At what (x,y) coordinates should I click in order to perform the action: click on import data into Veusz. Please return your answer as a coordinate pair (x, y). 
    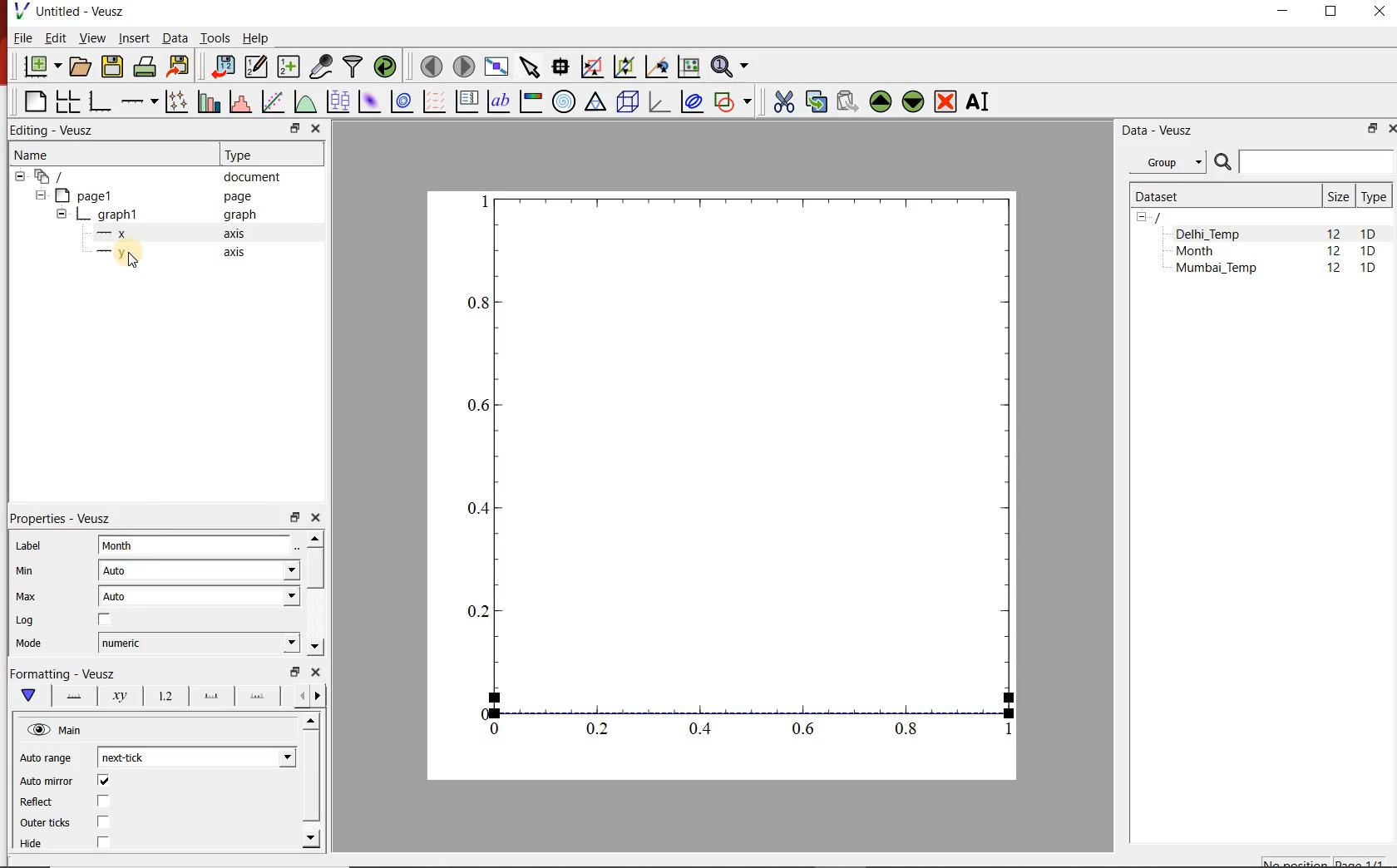
    Looking at the image, I should click on (221, 67).